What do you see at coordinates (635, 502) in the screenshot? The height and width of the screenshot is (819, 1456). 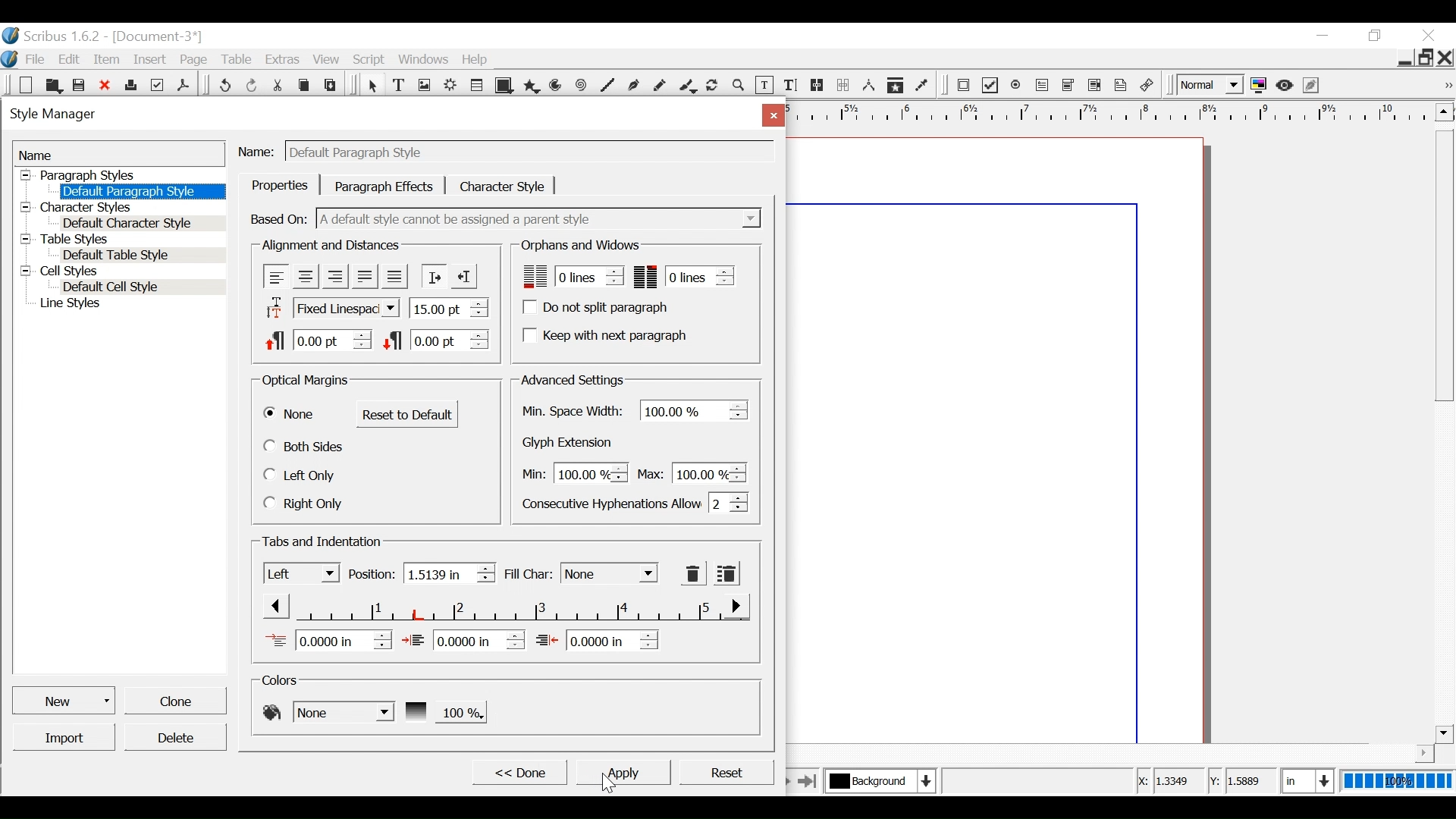 I see `Consecutive Hyphenations allow` at bounding box center [635, 502].